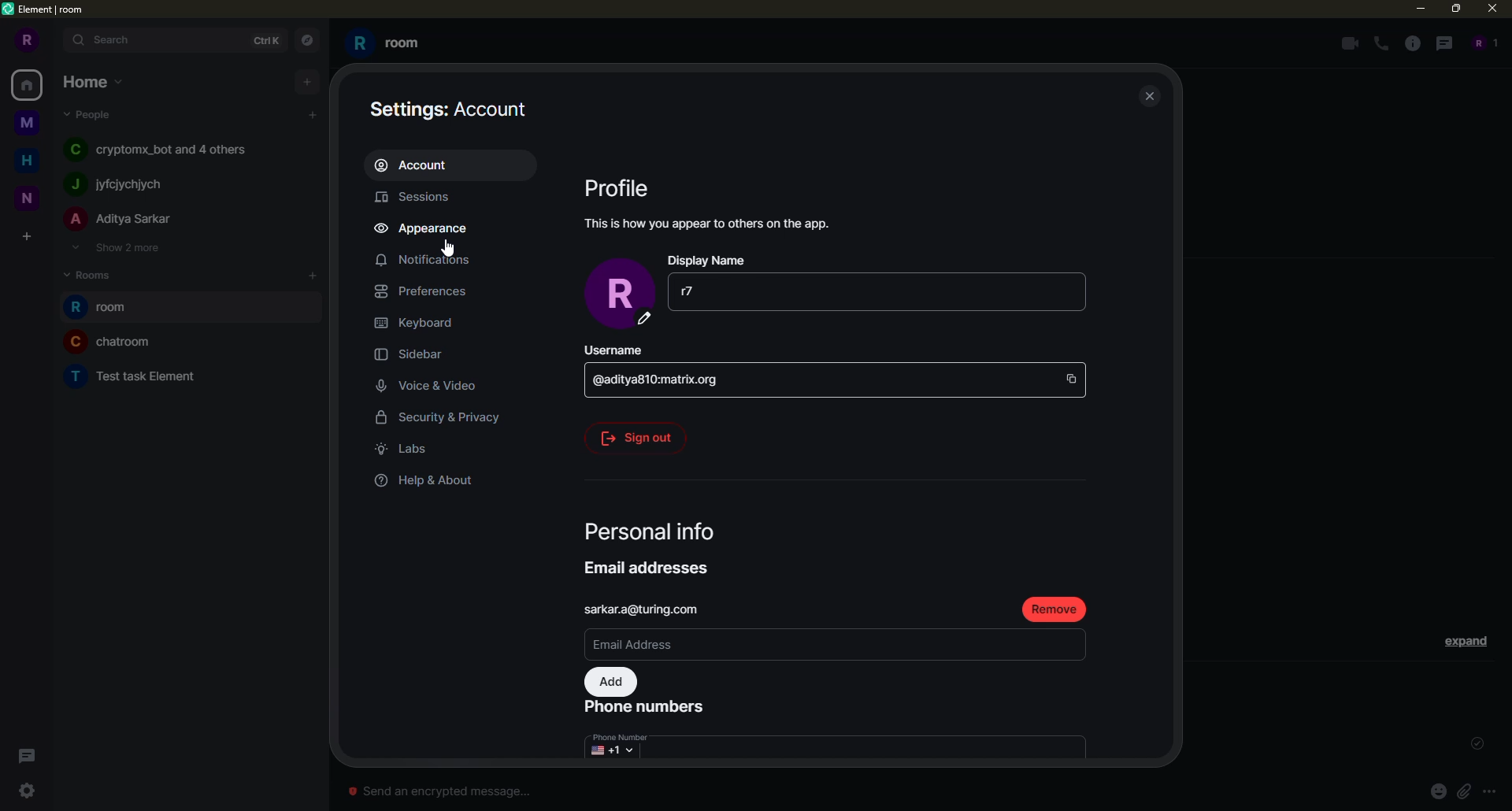  What do you see at coordinates (613, 350) in the screenshot?
I see `username` at bounding box center [613, 350].